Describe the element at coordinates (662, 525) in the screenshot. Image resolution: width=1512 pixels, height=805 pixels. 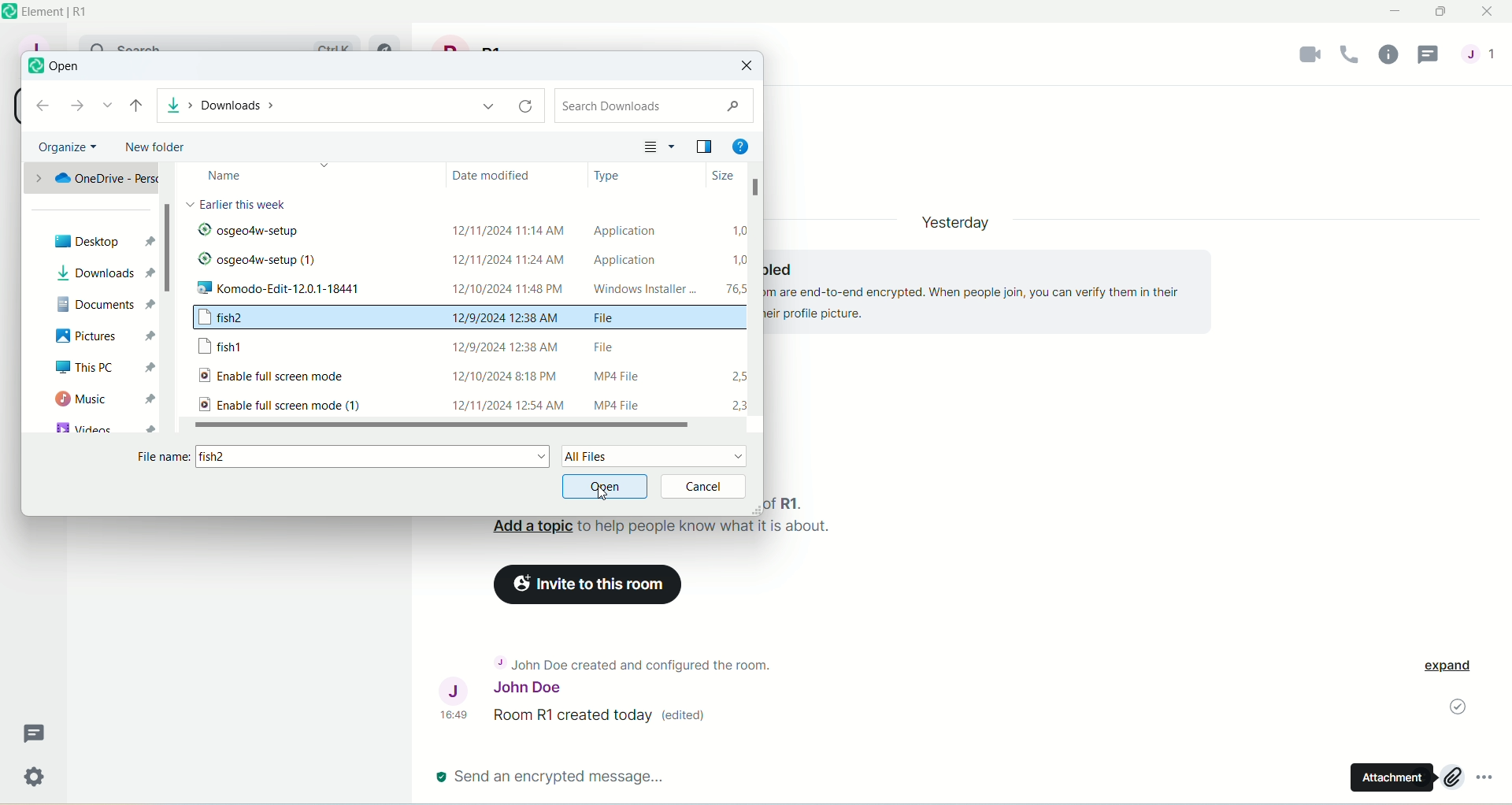
I see `you created this room. This is the start of R1. Add a topic to help people know what is about.` at that location.